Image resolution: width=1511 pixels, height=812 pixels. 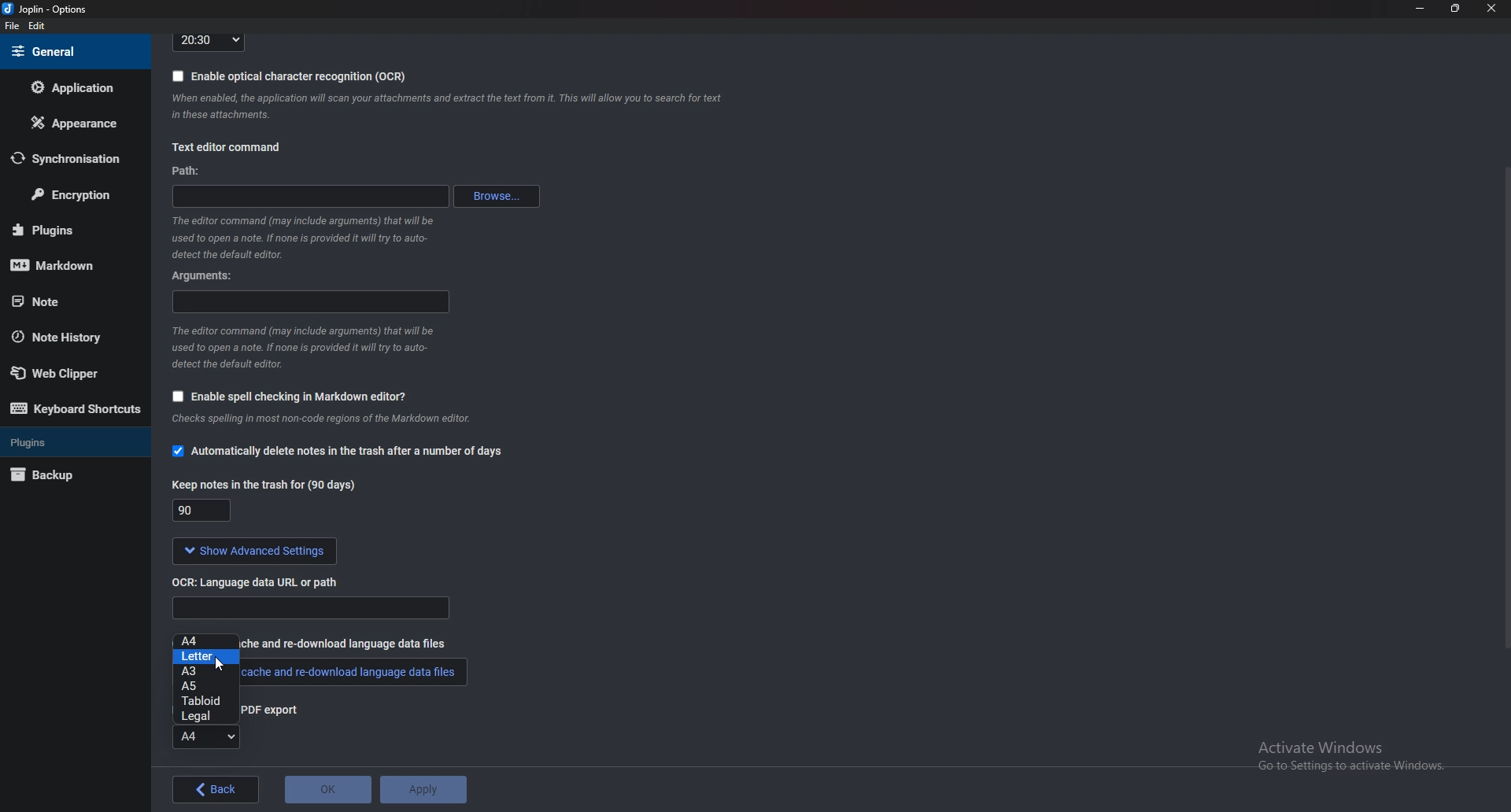 What do you see at coordinates (262, 581) in the screenshot?
I see `O C R` at bounding box center [262, 581].